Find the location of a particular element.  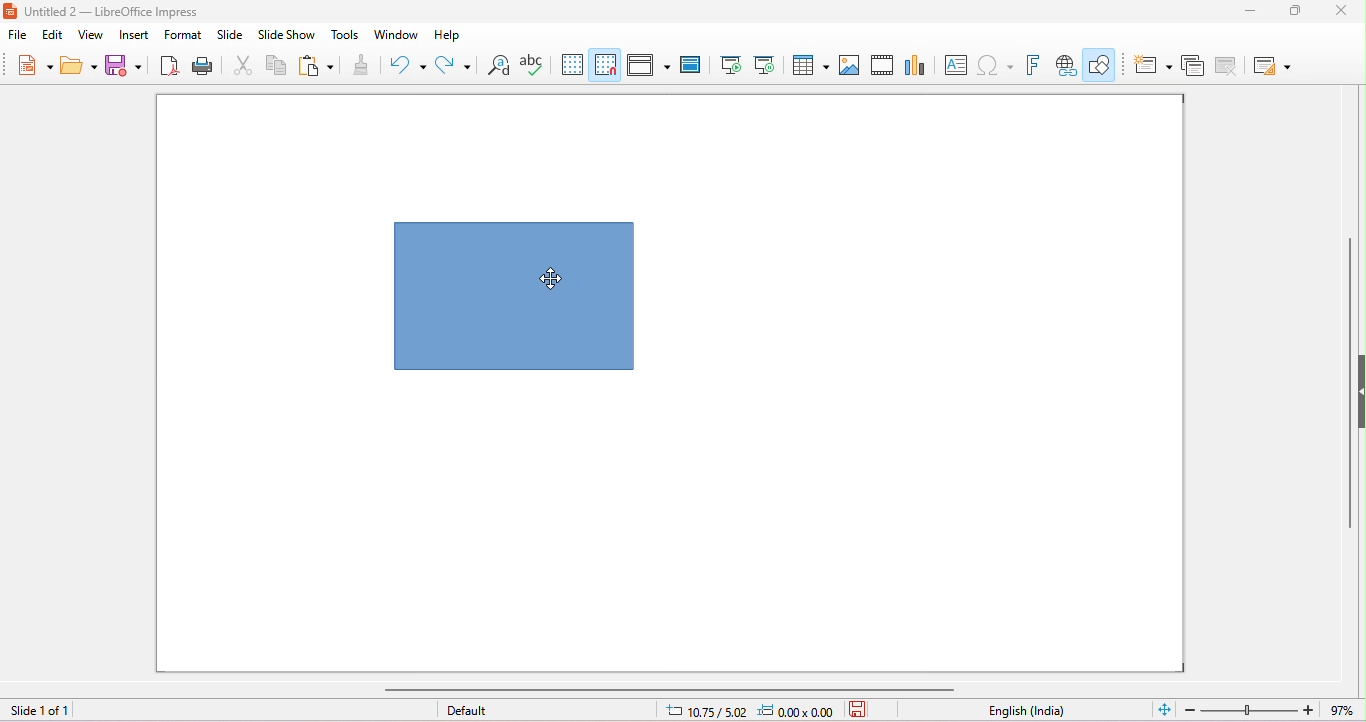

clone is located at coordinates (362, 63).